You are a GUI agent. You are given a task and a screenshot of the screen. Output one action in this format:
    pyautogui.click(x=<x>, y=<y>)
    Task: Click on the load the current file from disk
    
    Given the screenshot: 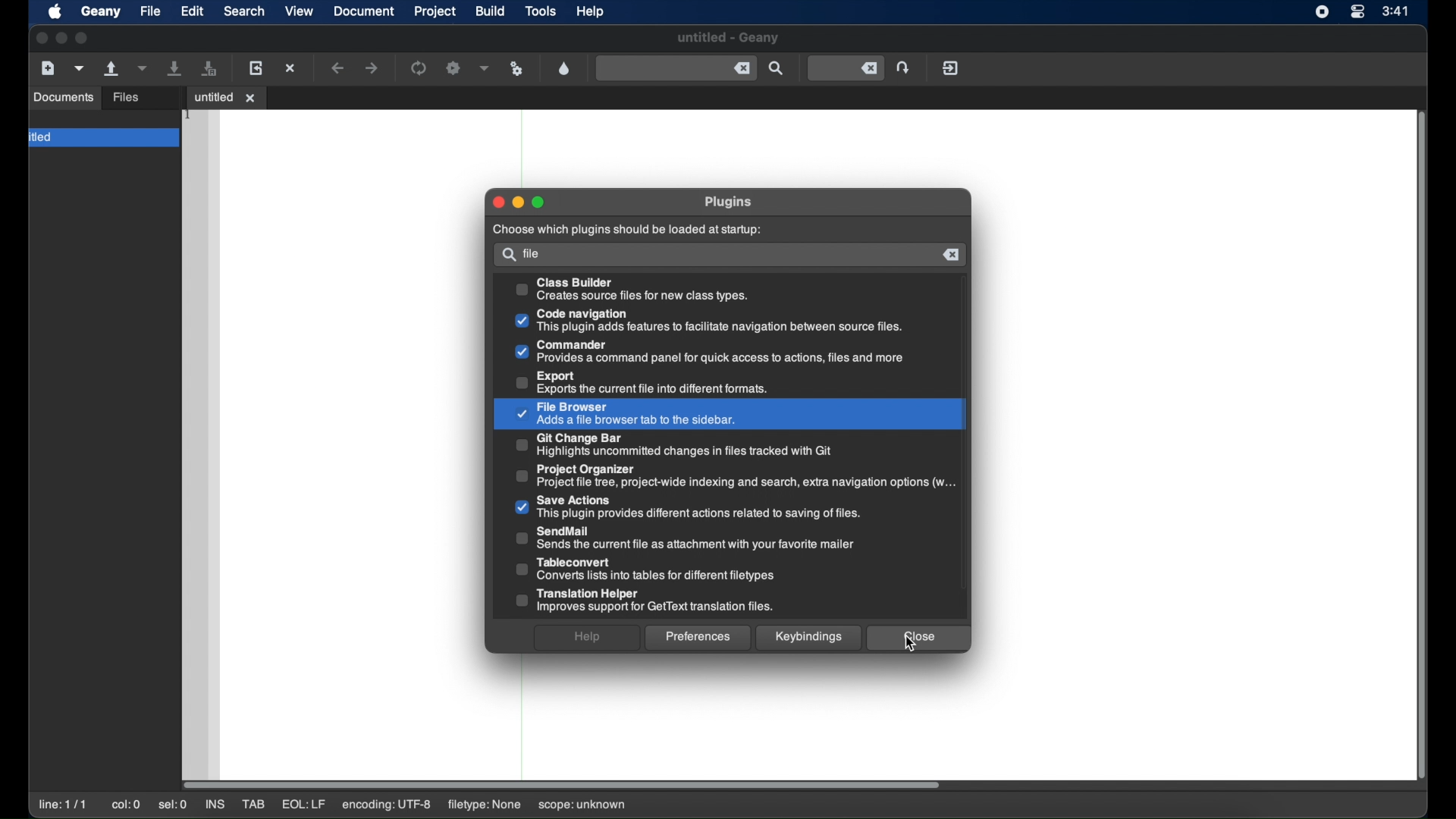 What is the action you would take?
    pyautogui.click(x=256, y=69)
    